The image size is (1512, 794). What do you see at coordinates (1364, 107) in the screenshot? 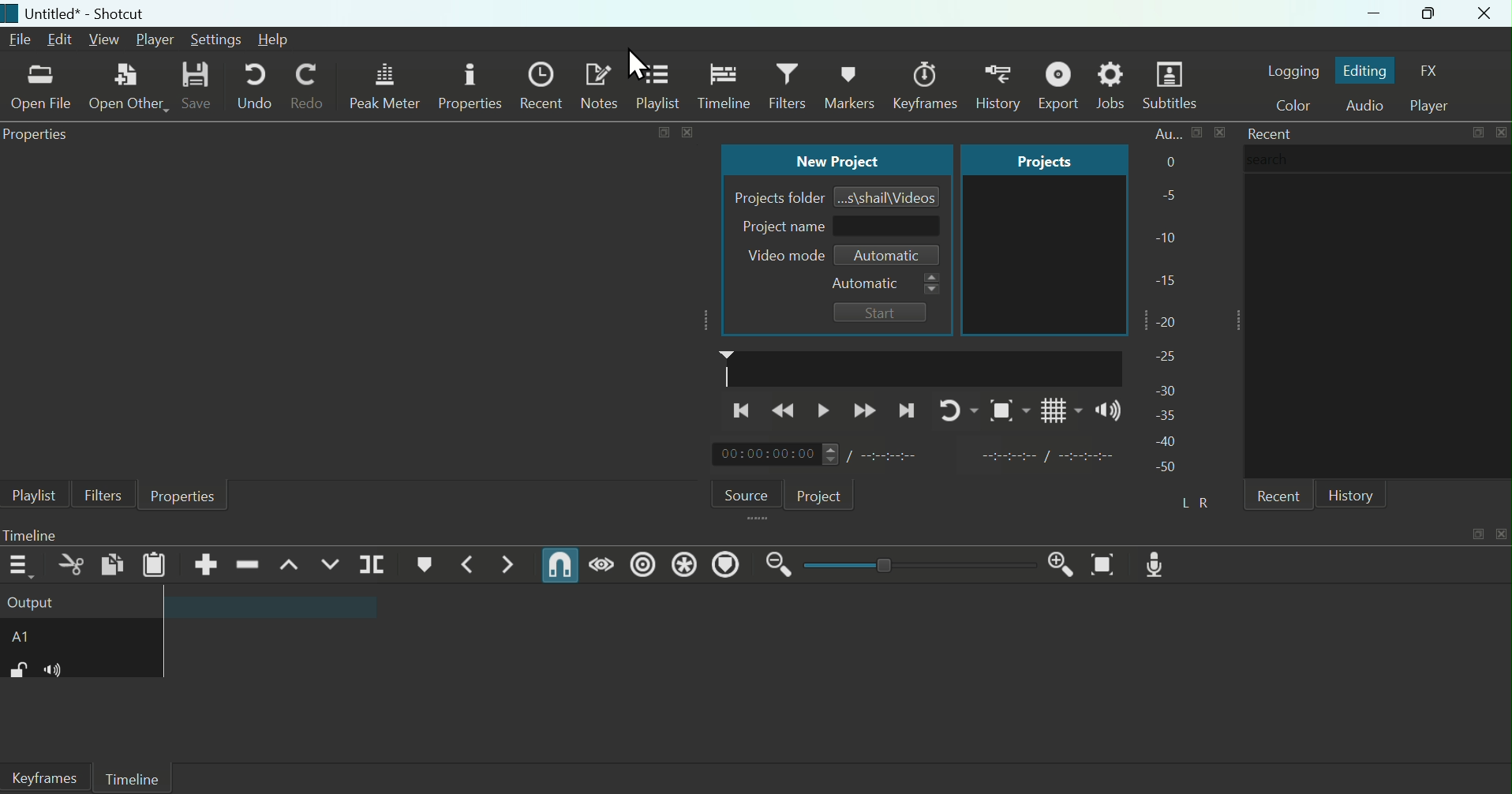
I see `Audio` at bounding box center [1364, 107].